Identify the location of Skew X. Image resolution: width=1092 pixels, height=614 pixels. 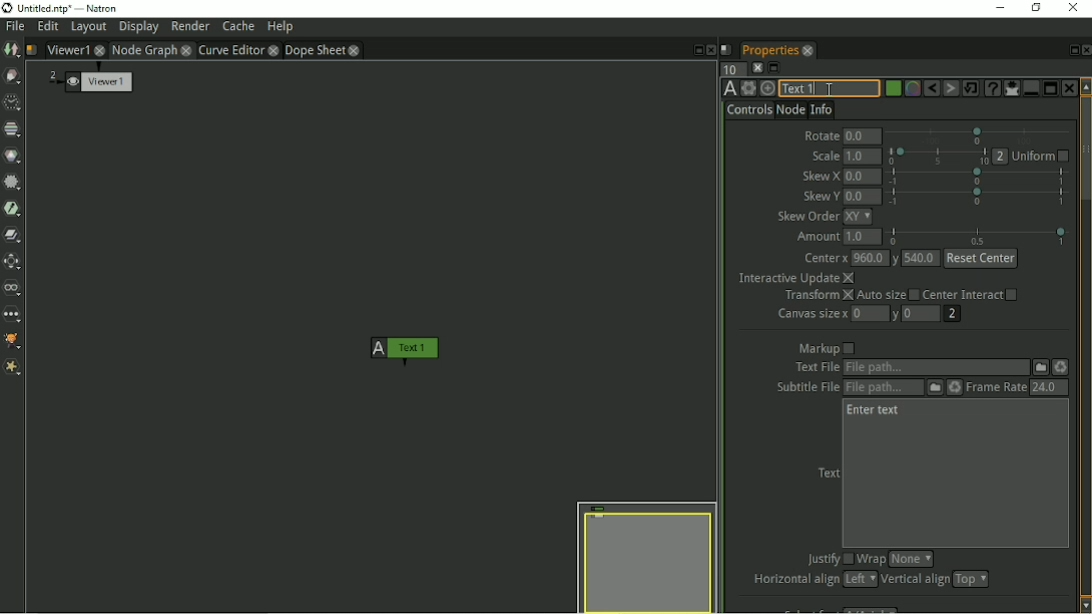
(821, 176).